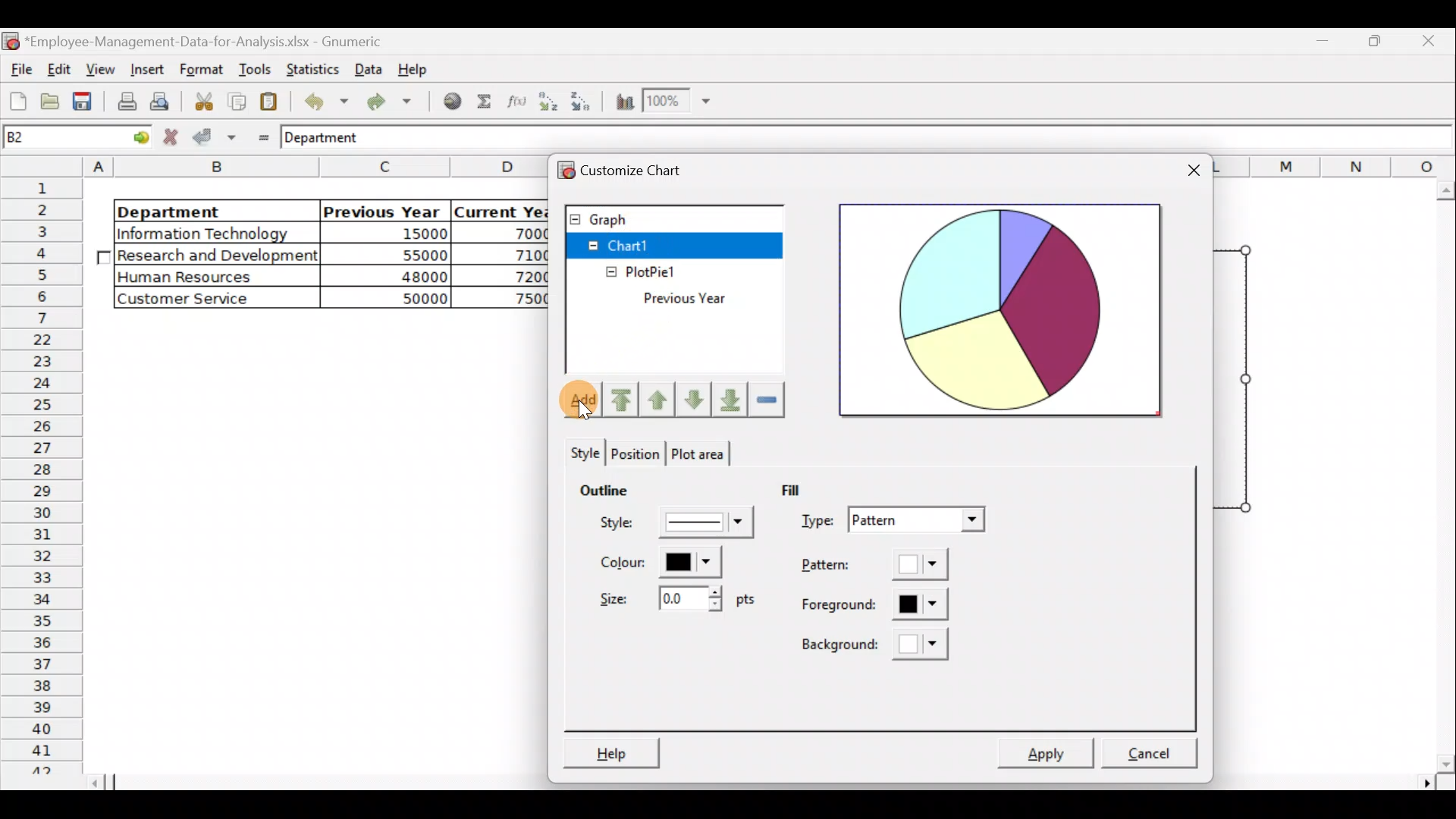 The image size is (1456, 819). I want to click on Copy the selection, so click(236, 102).